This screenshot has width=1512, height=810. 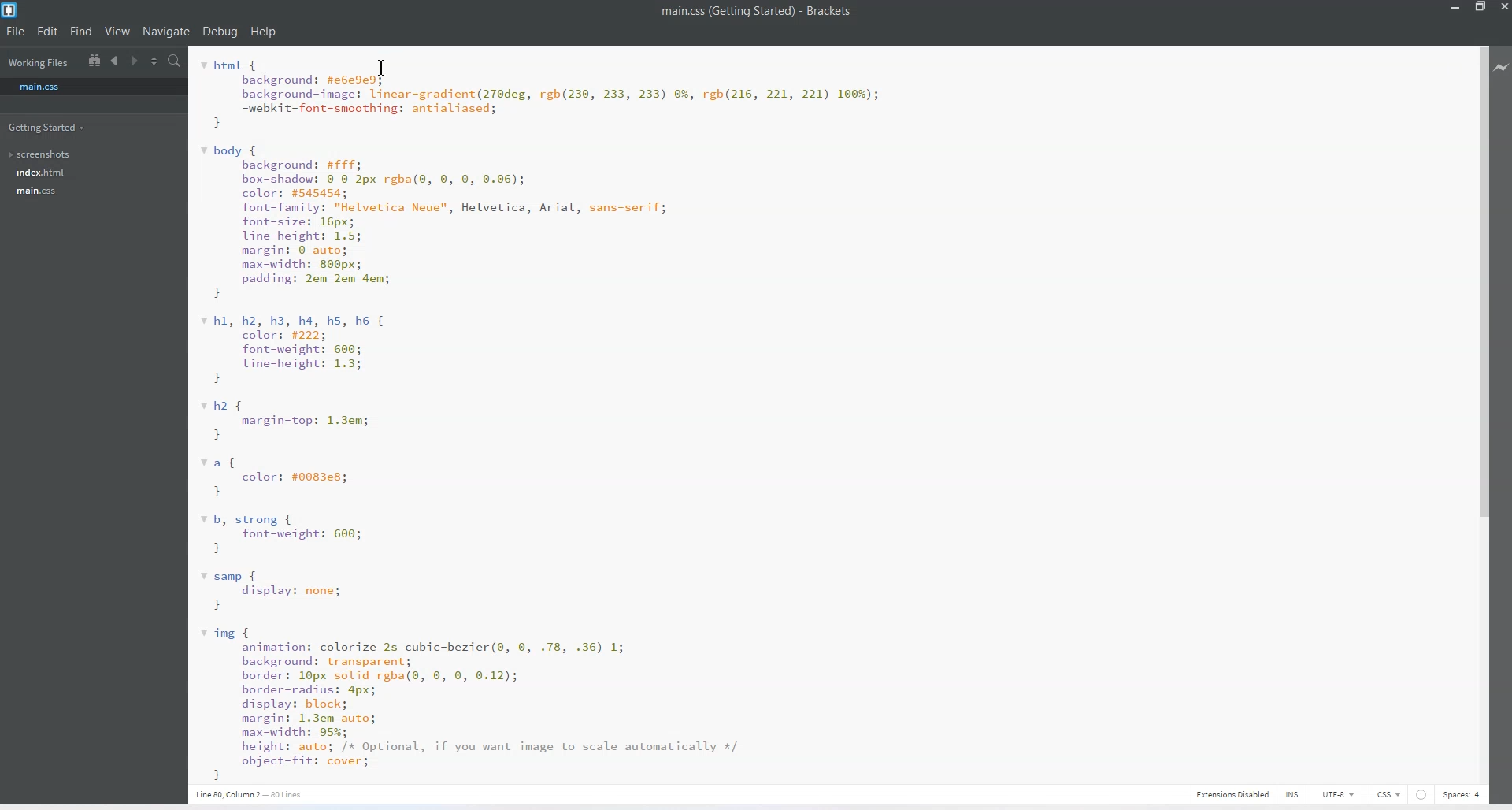 I want to click on File, so click(x=16, y=32).